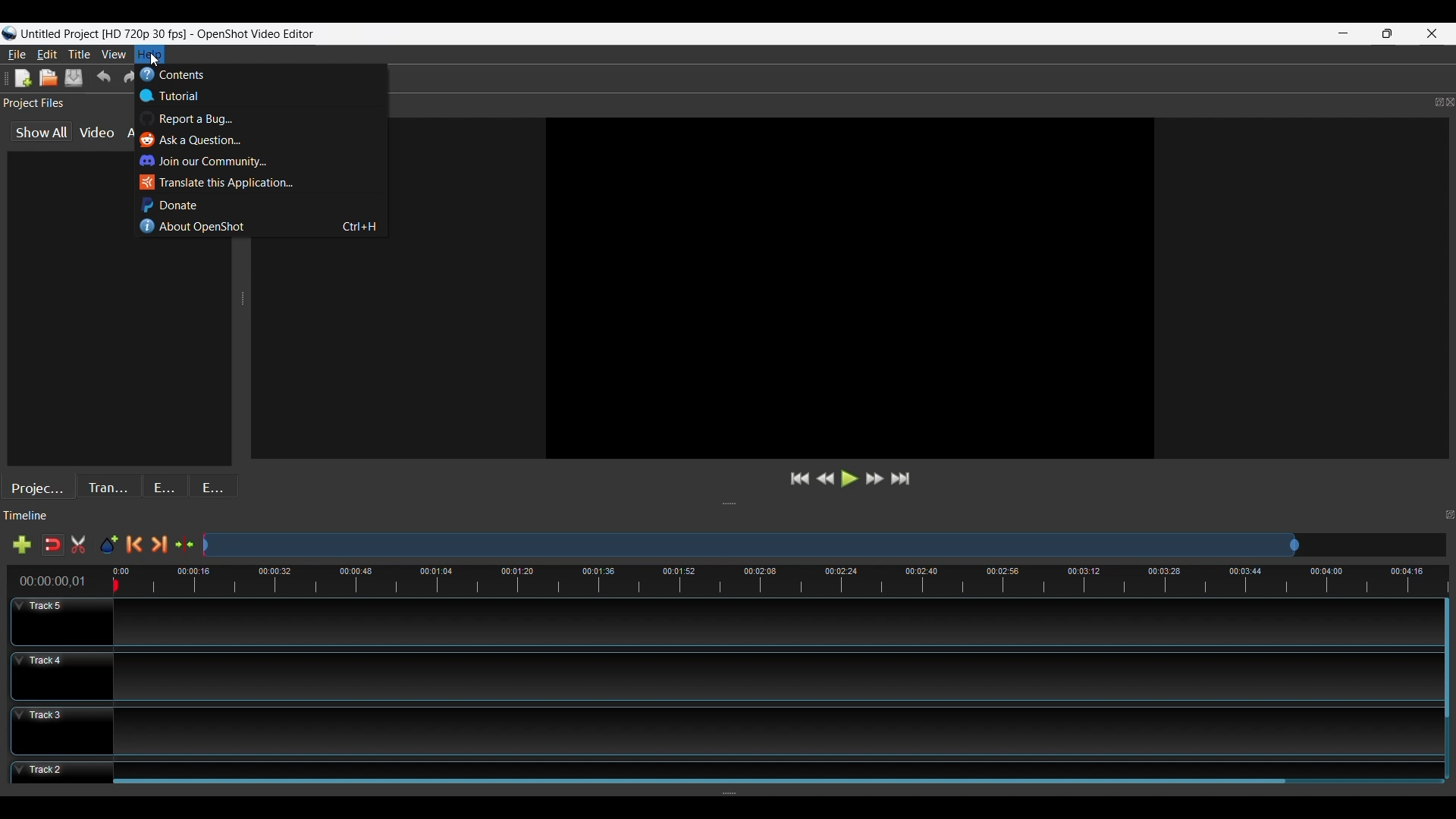 This screenshot has width=1456, height=819. Describe the element at coordinates (104, 35) in the screenshot. I see `Project Name` at that location.